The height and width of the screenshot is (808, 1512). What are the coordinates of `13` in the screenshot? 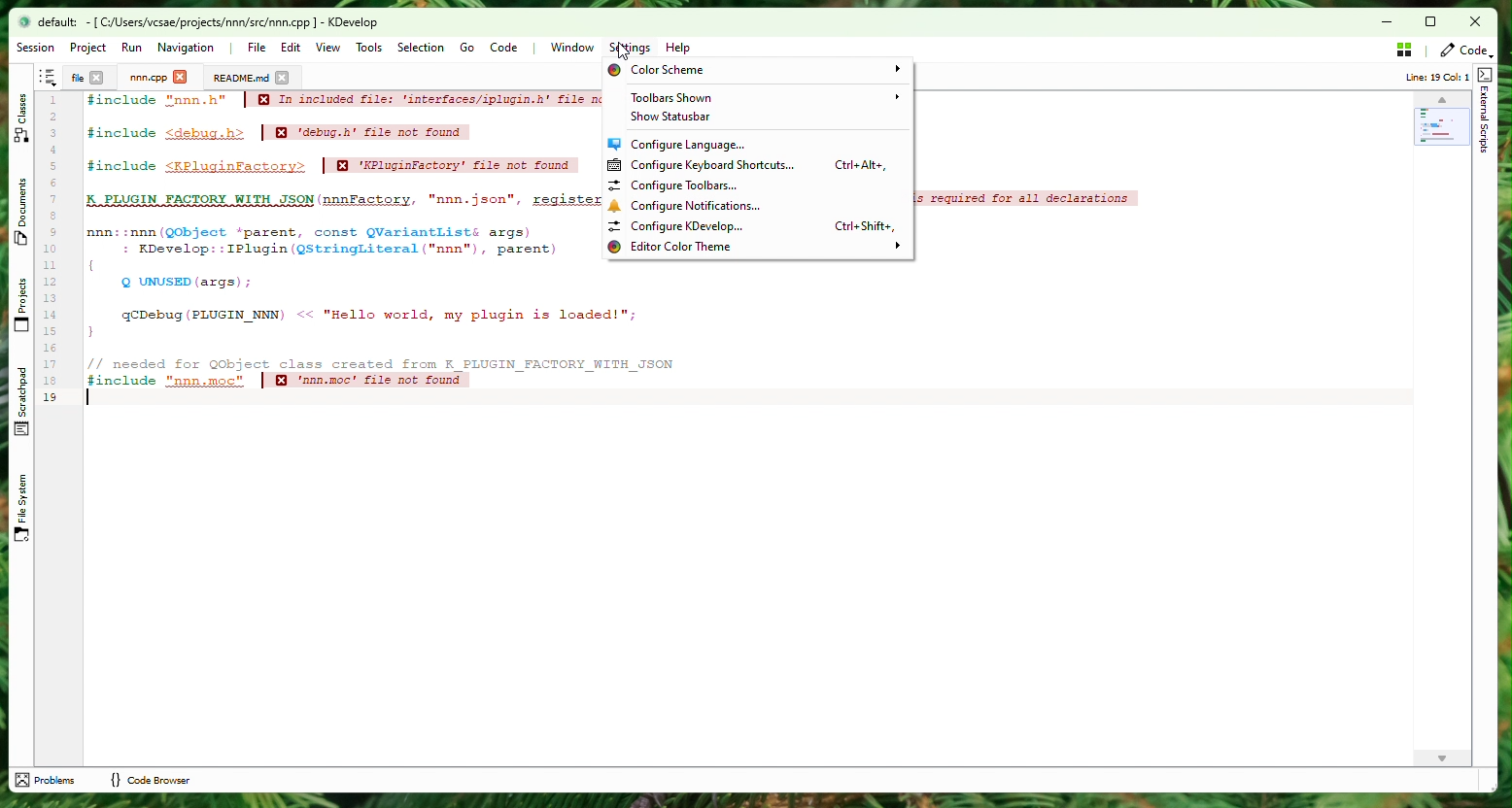 It's located at (52, 298).